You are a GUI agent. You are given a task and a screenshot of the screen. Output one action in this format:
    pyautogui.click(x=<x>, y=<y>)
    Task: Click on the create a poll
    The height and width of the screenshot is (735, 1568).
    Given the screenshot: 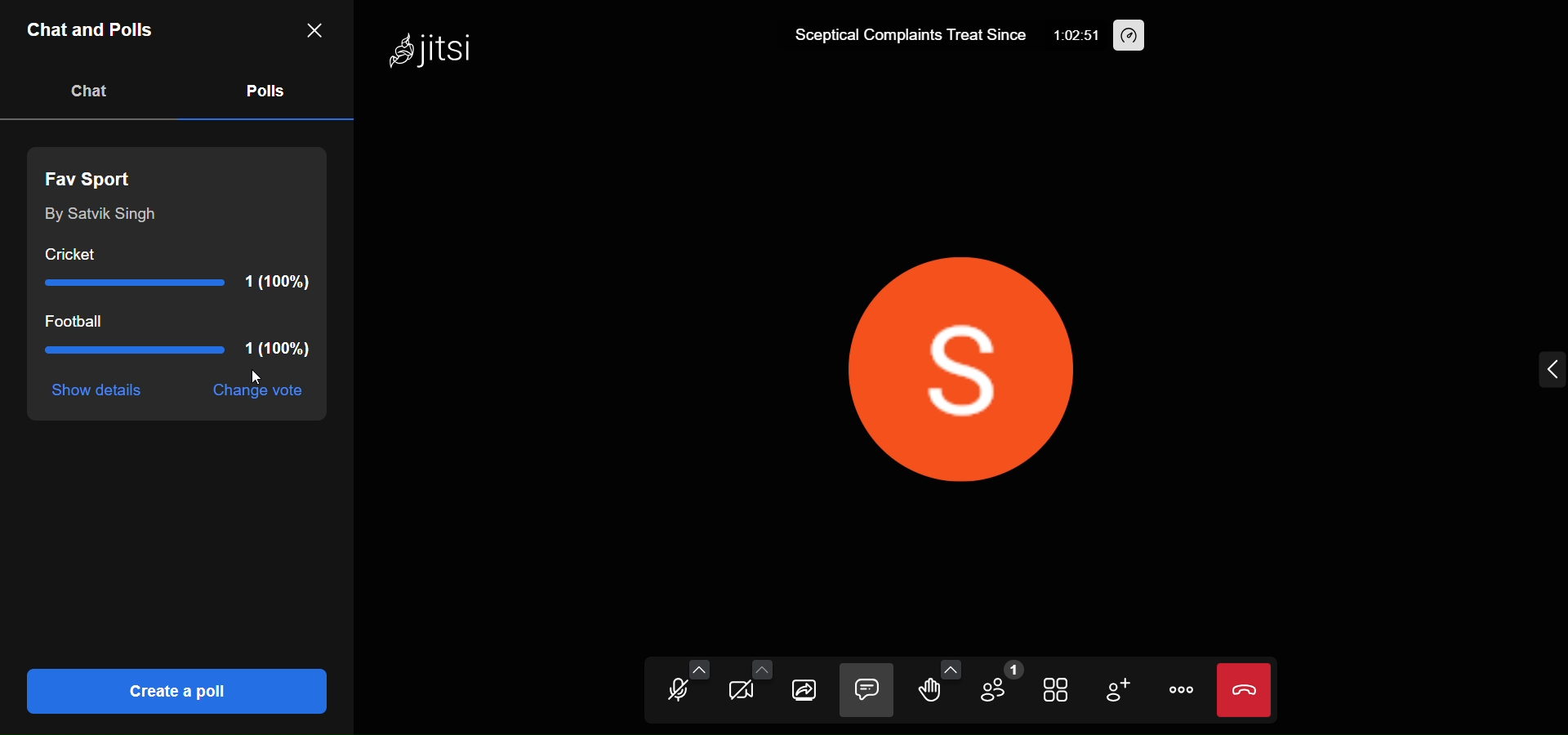 What is the action you would take?
    pyautogui.click(x=173, y=690)
    